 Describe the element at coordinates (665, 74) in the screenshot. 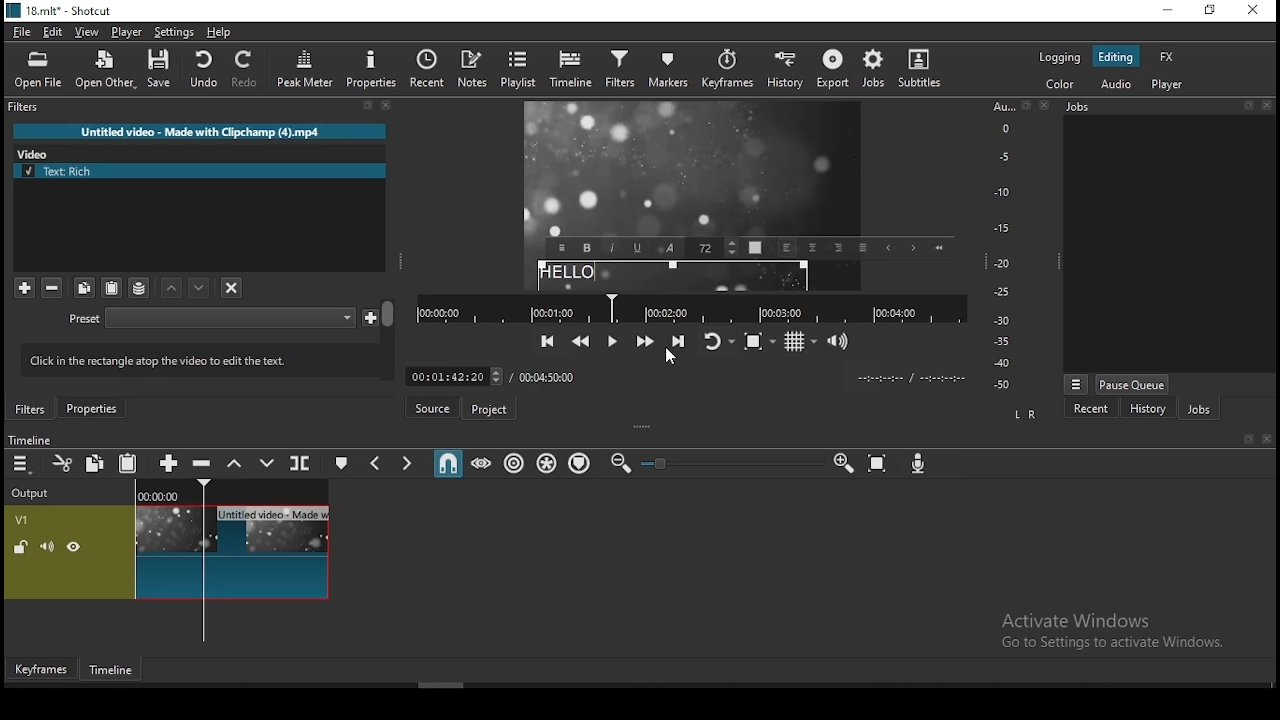

I see `markers` at that location.